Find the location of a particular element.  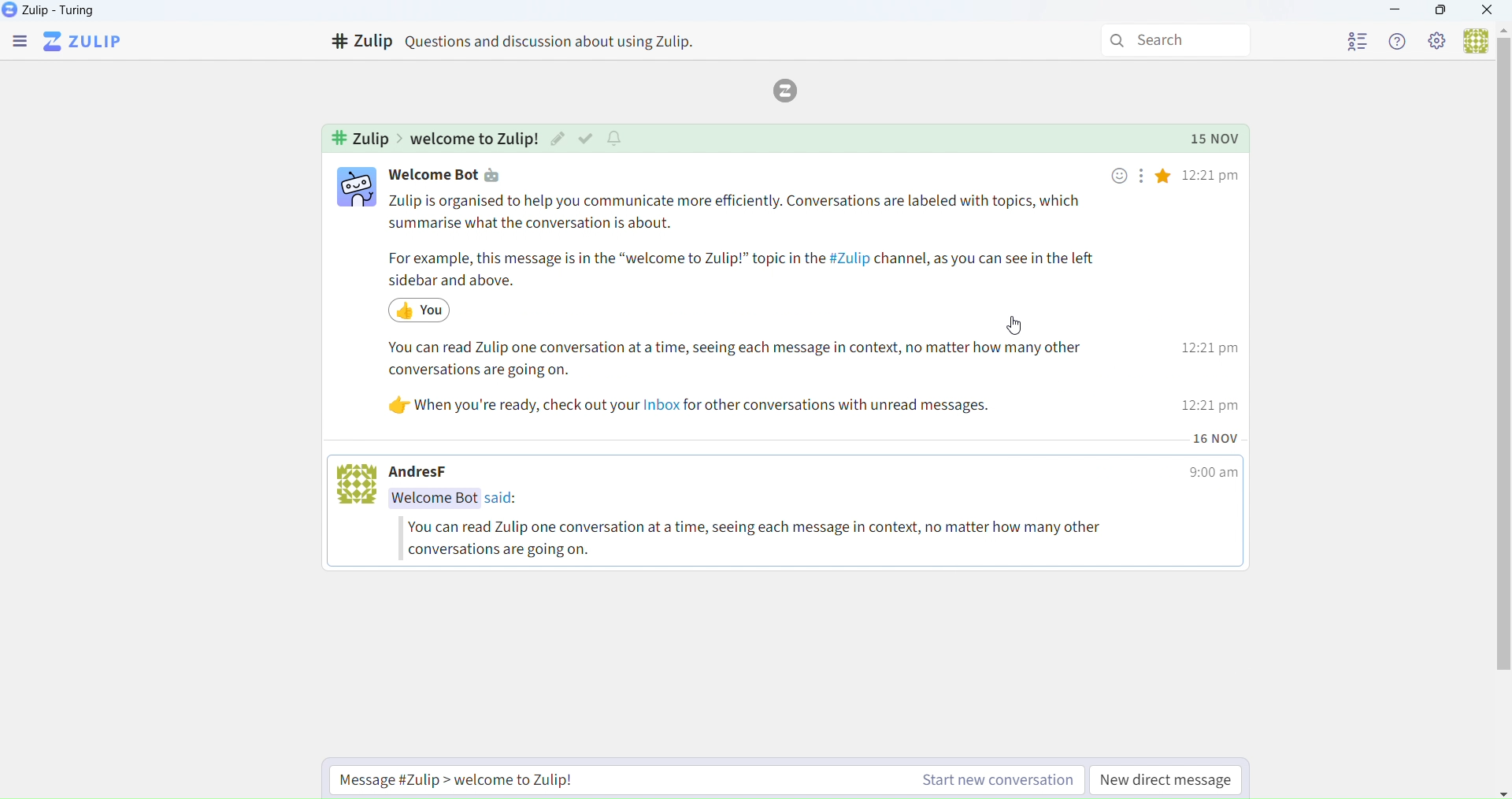

Start new conversation is located at coordinates (698, 779).